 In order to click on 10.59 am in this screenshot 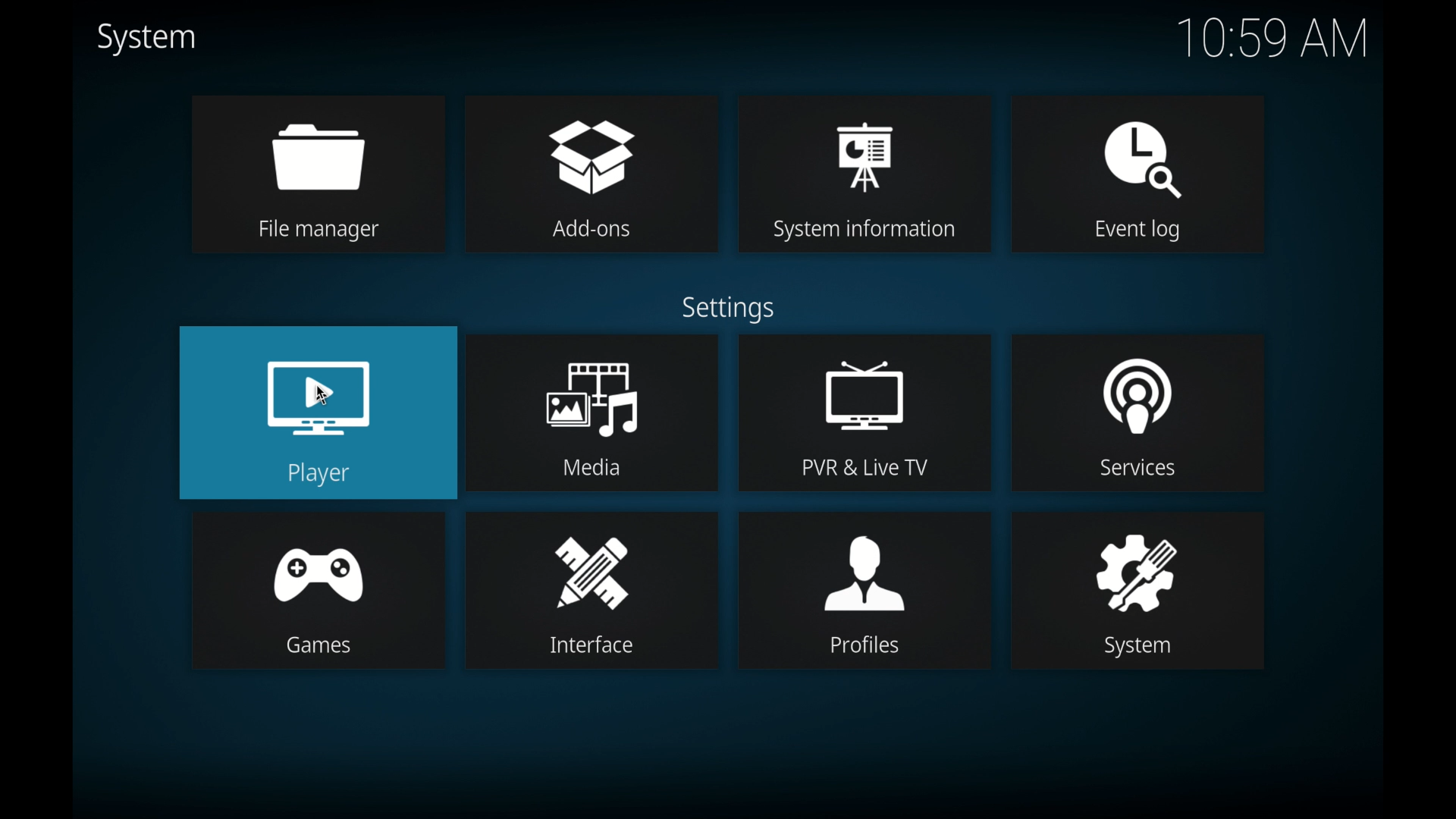, I will do `click(1271, 39)`.